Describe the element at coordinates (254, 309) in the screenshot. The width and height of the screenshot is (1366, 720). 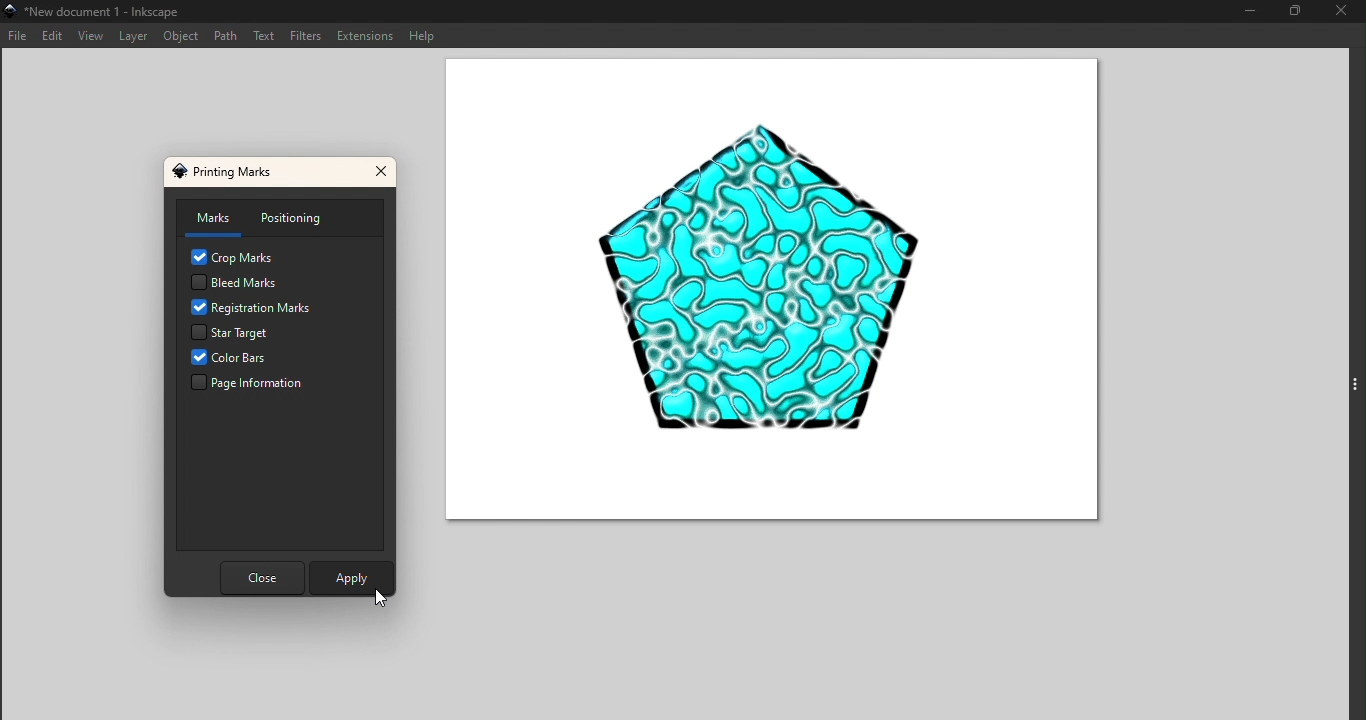
I see `Registration Marks` at that location.